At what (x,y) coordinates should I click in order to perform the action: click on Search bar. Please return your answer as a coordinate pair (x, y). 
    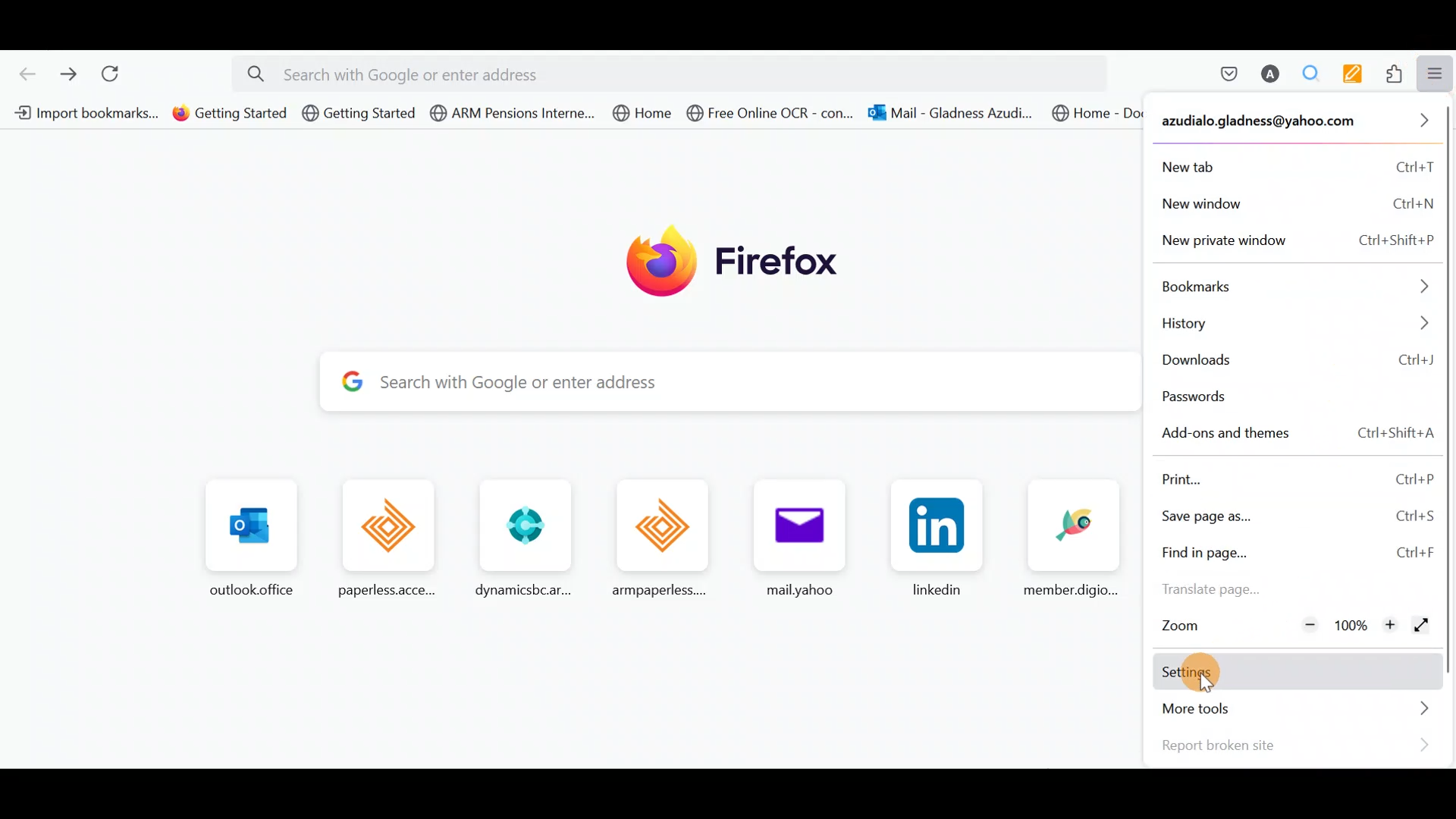
    Looking at the image, I should click on (716, 379).